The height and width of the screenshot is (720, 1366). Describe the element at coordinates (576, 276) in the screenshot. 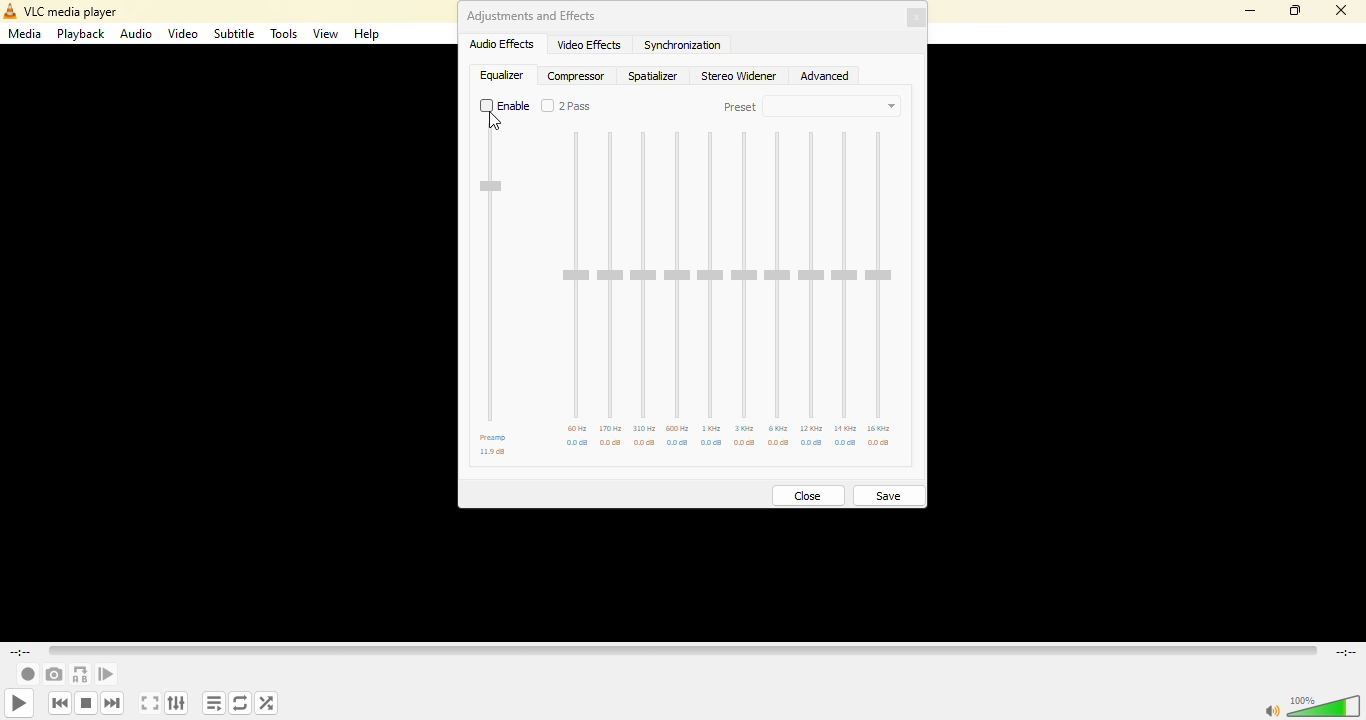

I see `adjustor` at that location.